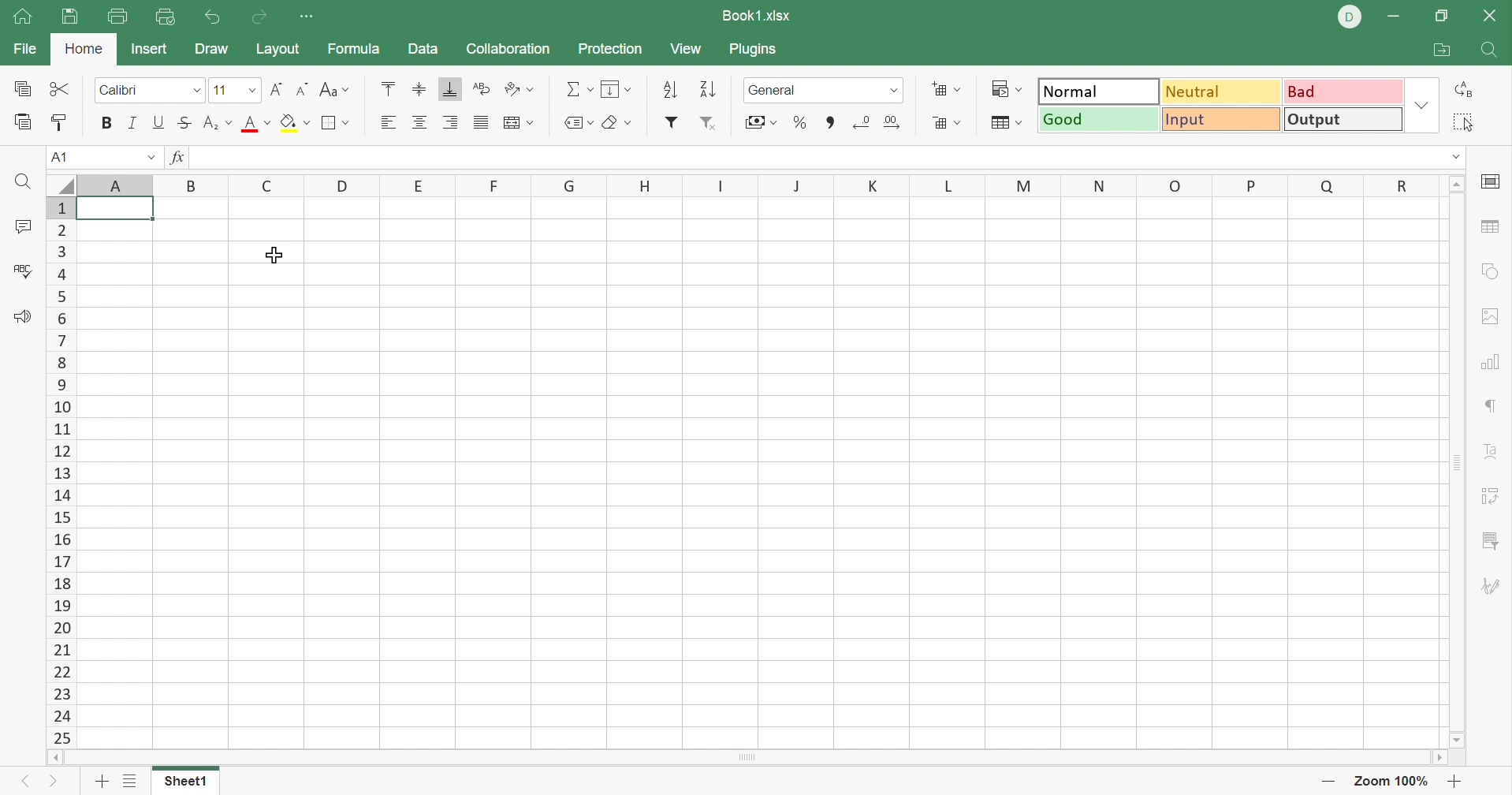  I want to click on Ascending order, so click(672, 88).